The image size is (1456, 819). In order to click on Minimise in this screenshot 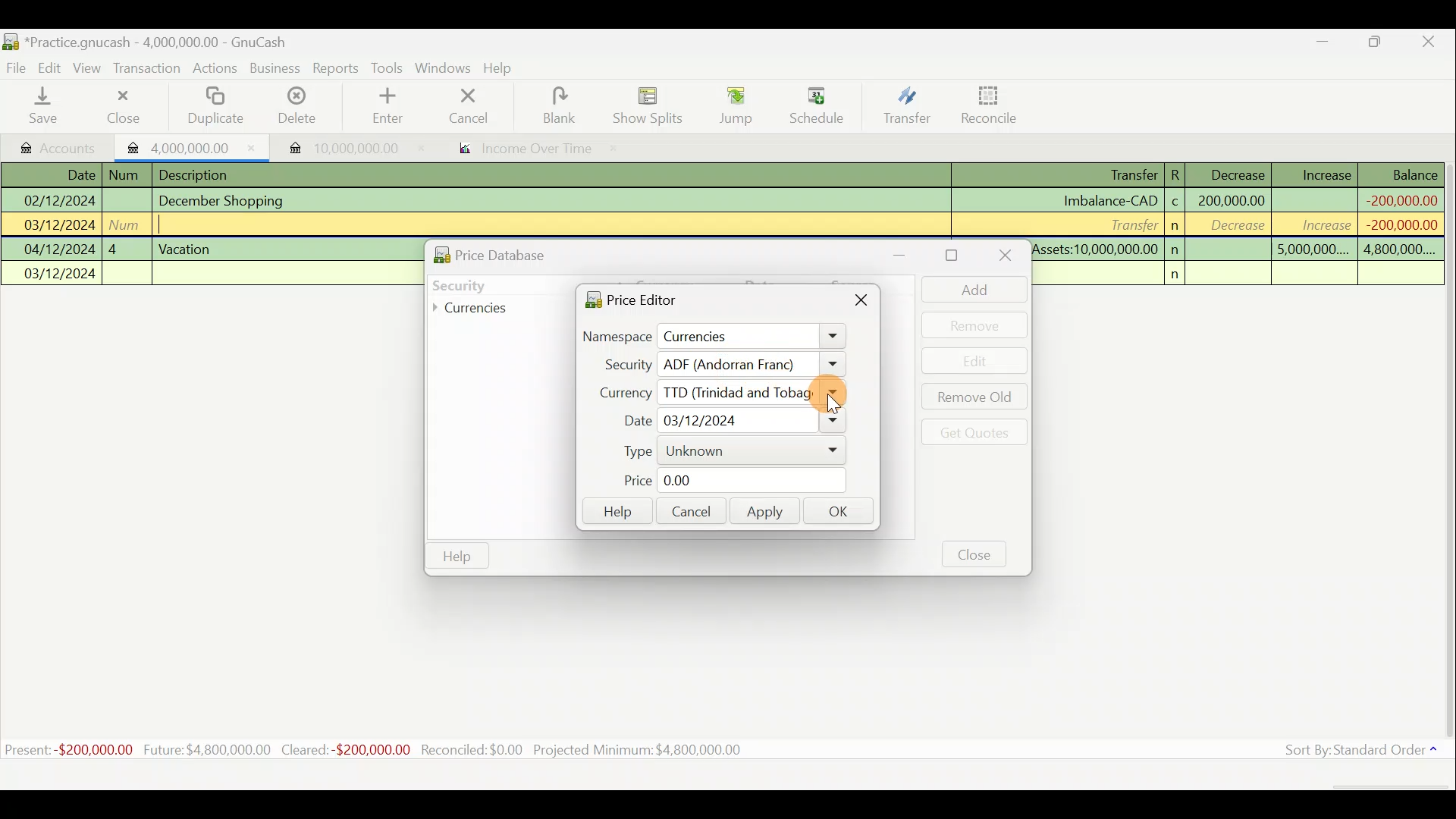, I will do `click(908, 255)`.